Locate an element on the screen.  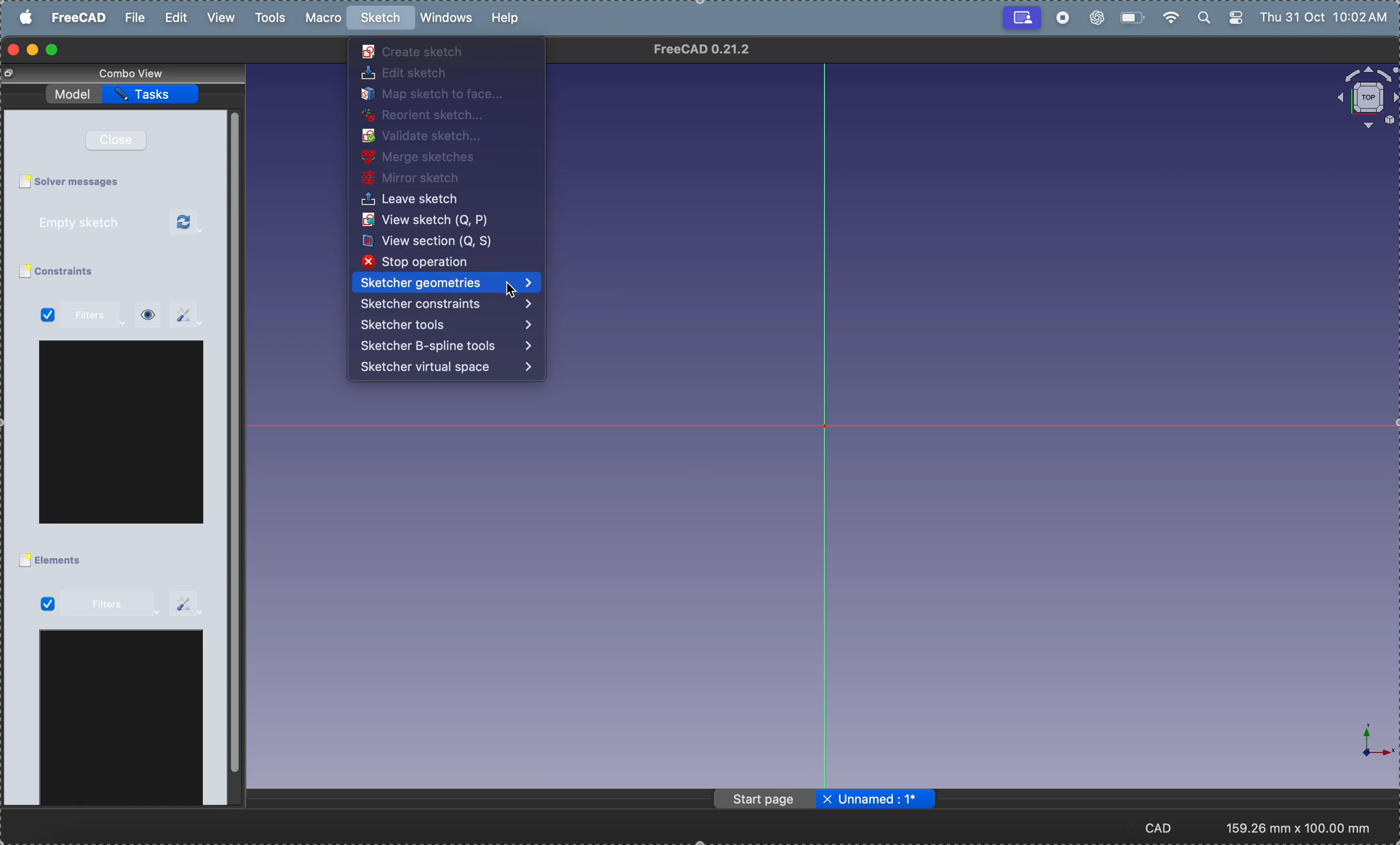
settings is located at coordinates (188, 603).